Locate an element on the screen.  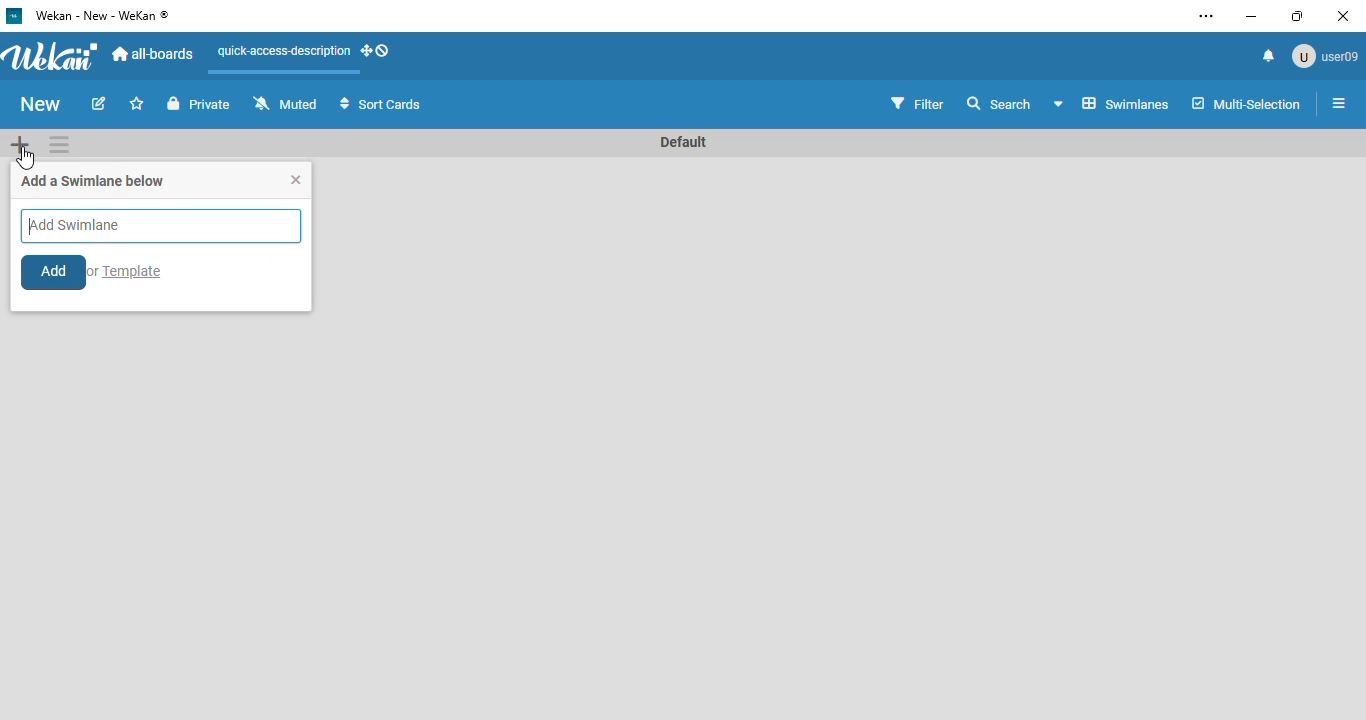
filter is located at coordinates (917, 102).